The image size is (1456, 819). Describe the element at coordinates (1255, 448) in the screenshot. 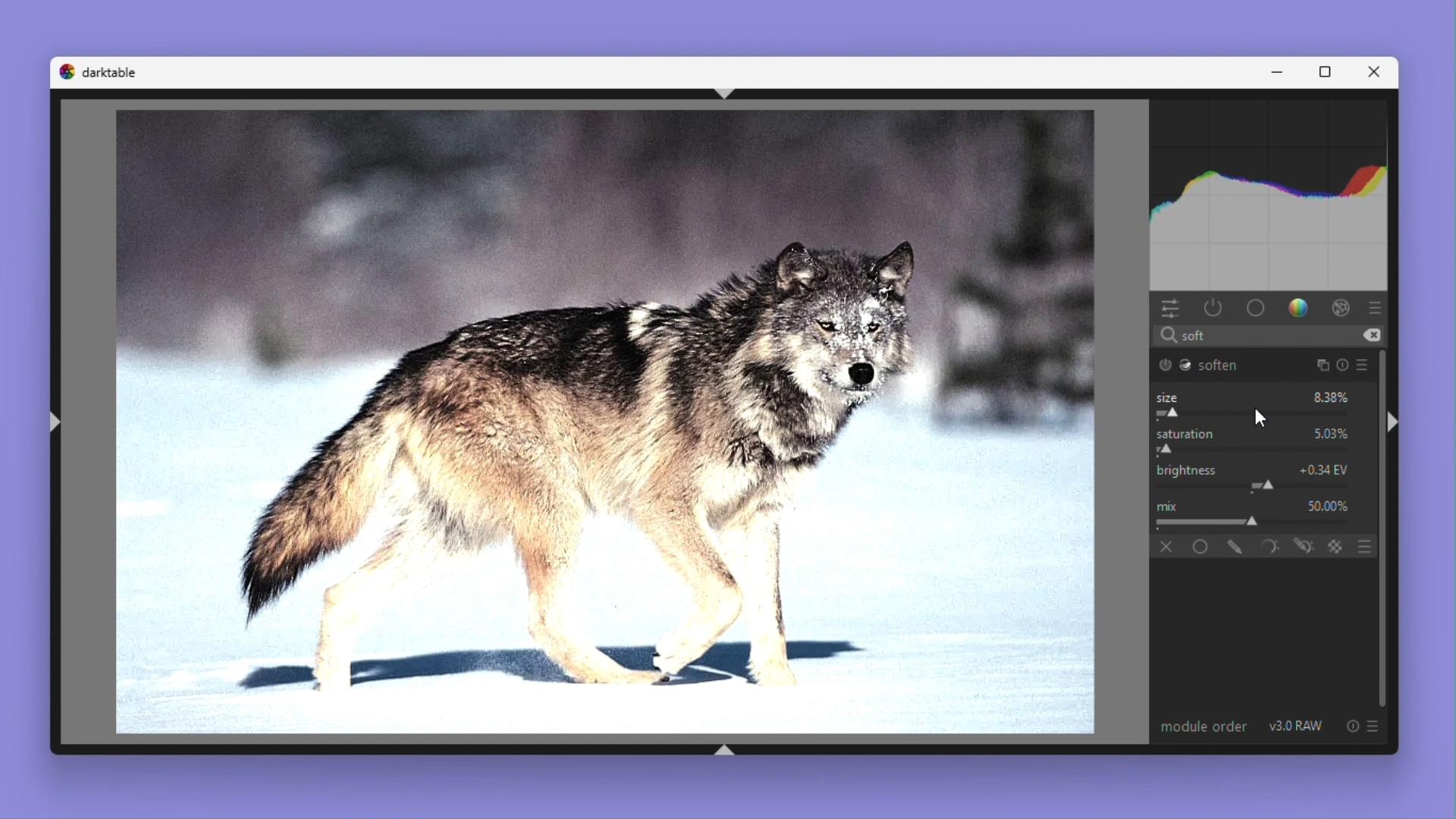

I see `slider` at that location.